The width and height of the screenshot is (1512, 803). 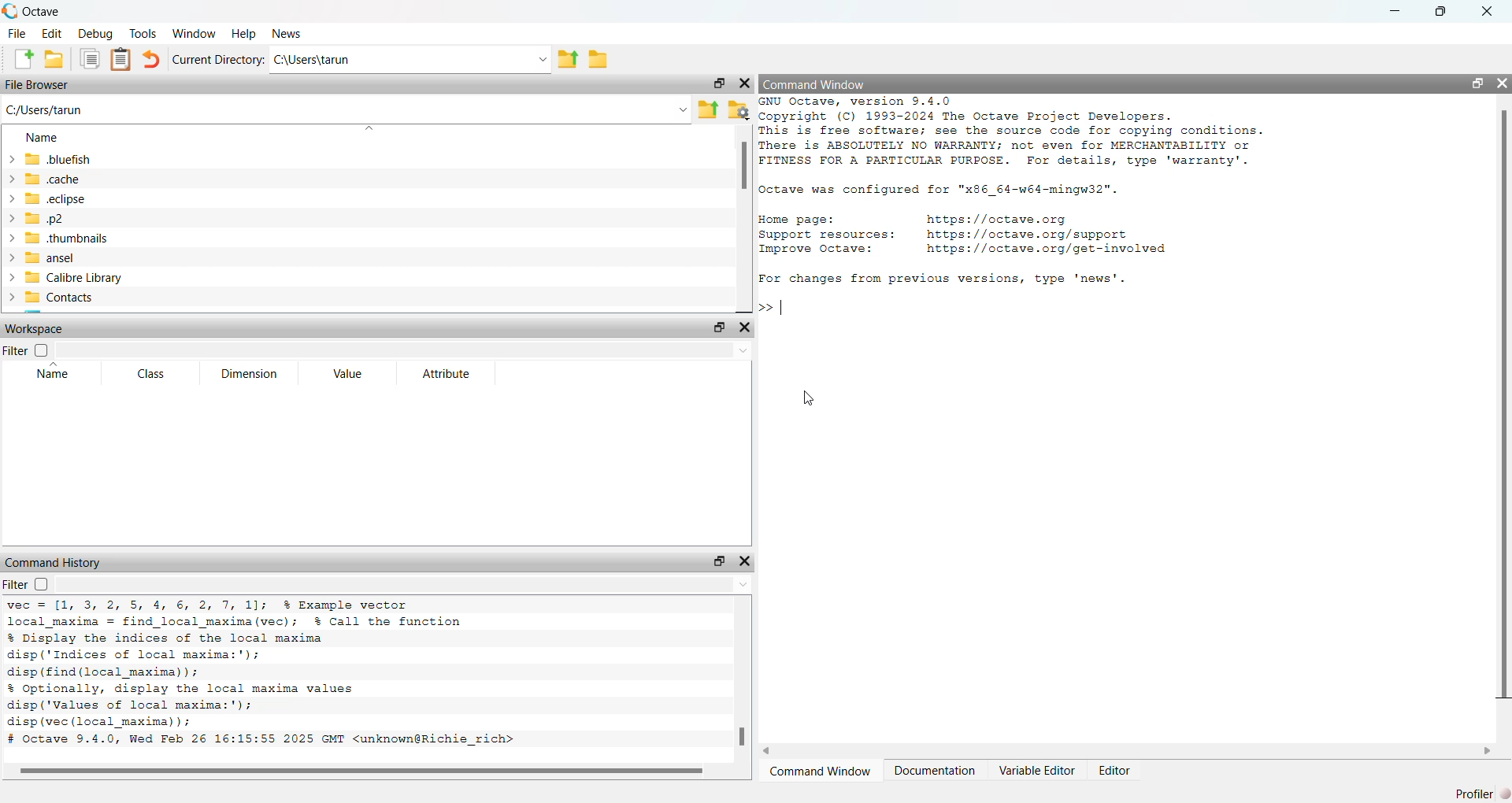 What do you see at coordinates (120, 60) in the screenshot?
I see `Paste` at bounding box center [120, 60].